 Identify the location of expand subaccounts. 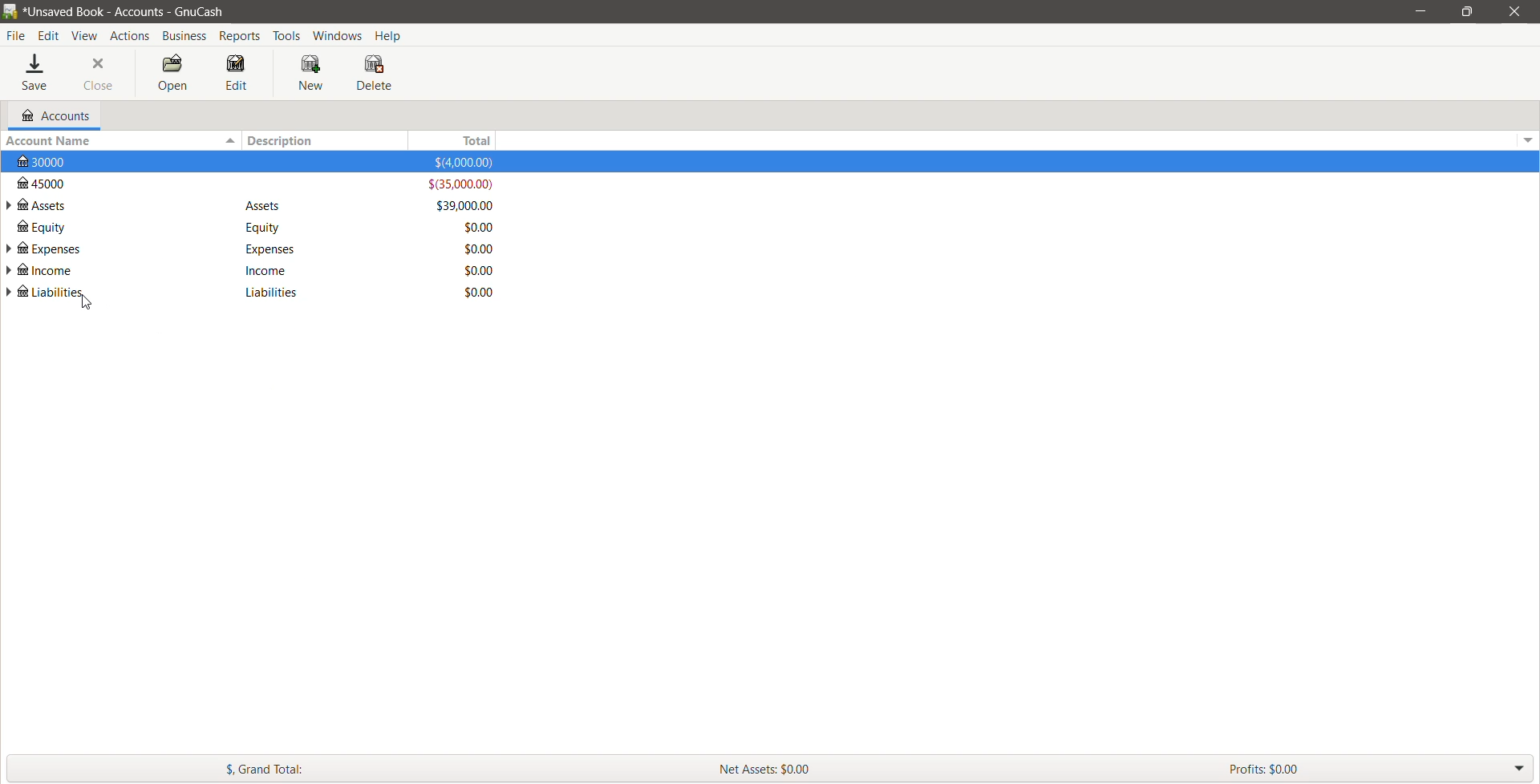
(10, 292).